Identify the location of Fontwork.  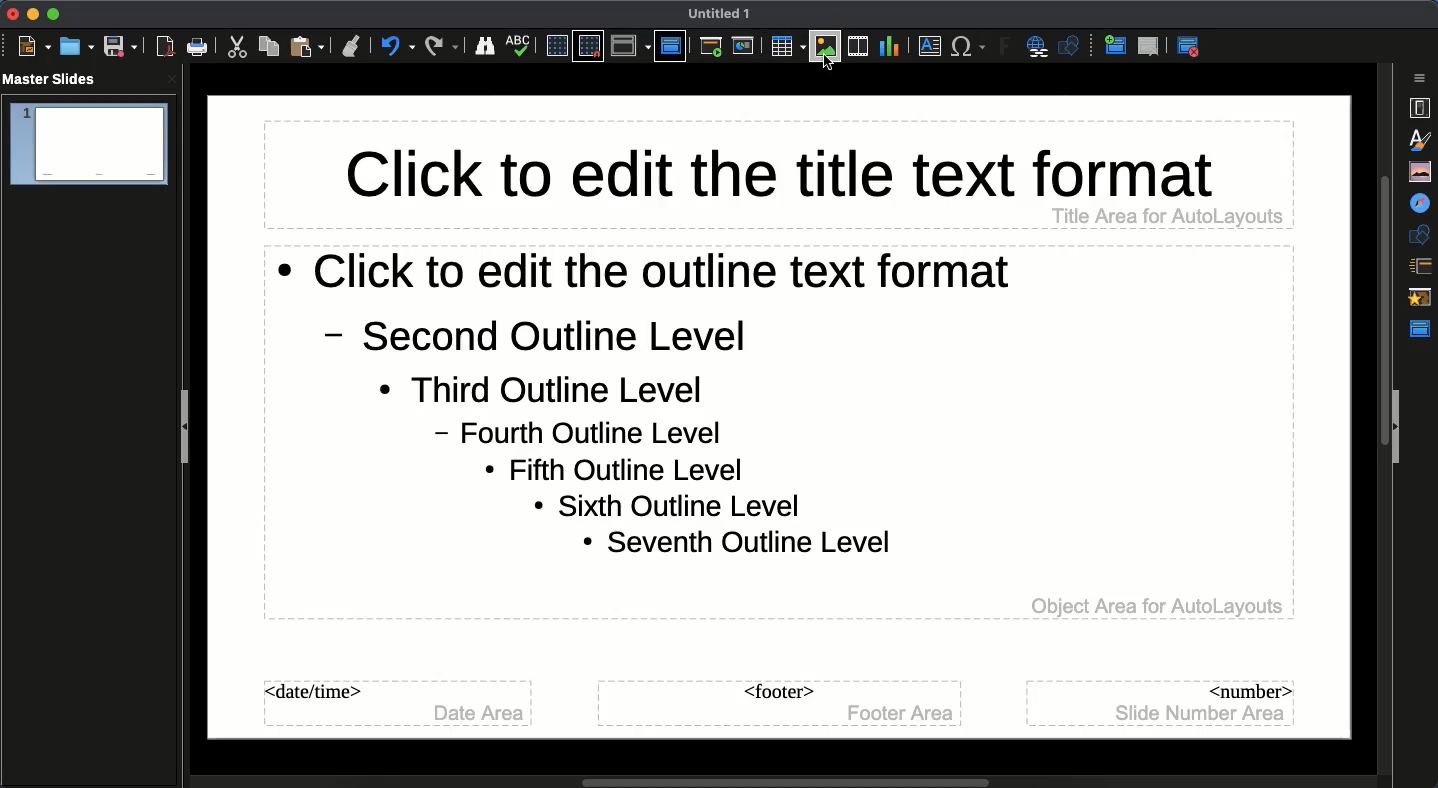
(1006, 49).